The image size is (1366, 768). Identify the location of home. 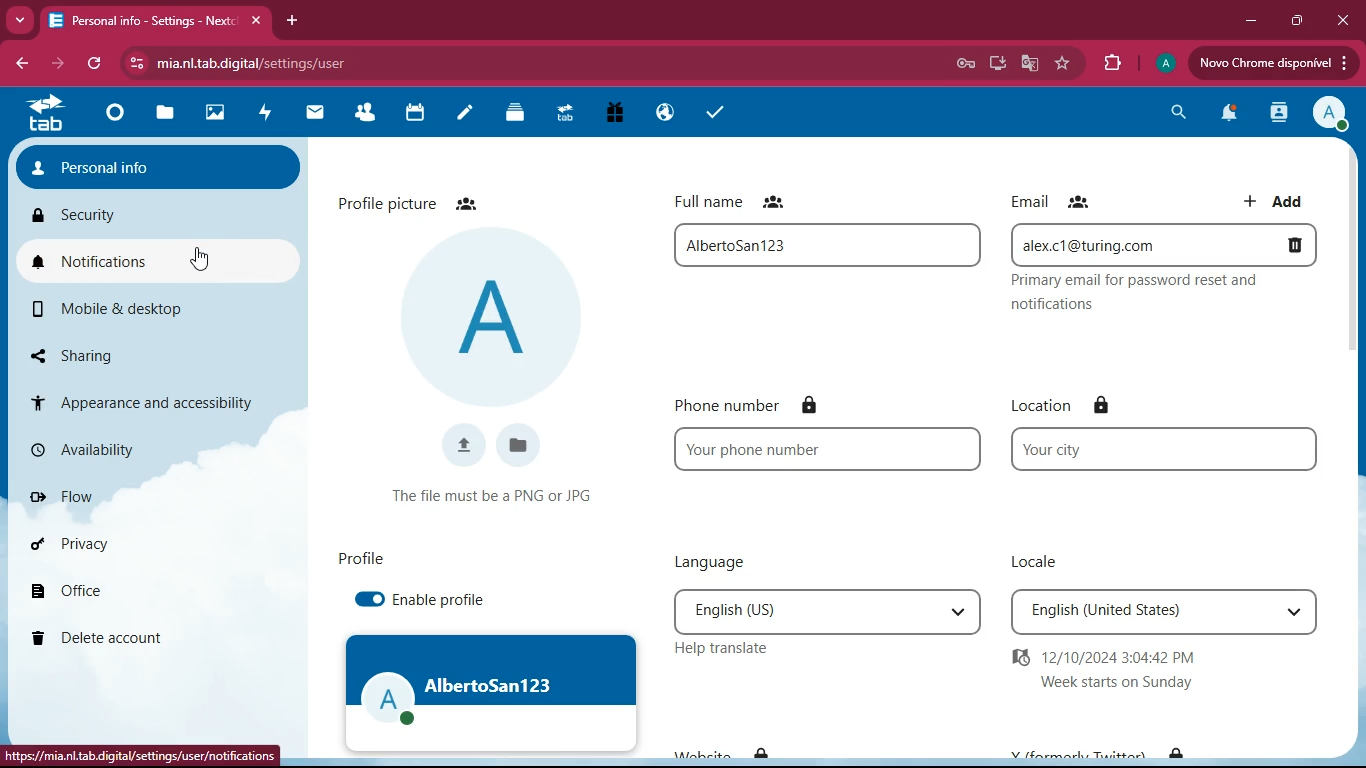
(114, 118).